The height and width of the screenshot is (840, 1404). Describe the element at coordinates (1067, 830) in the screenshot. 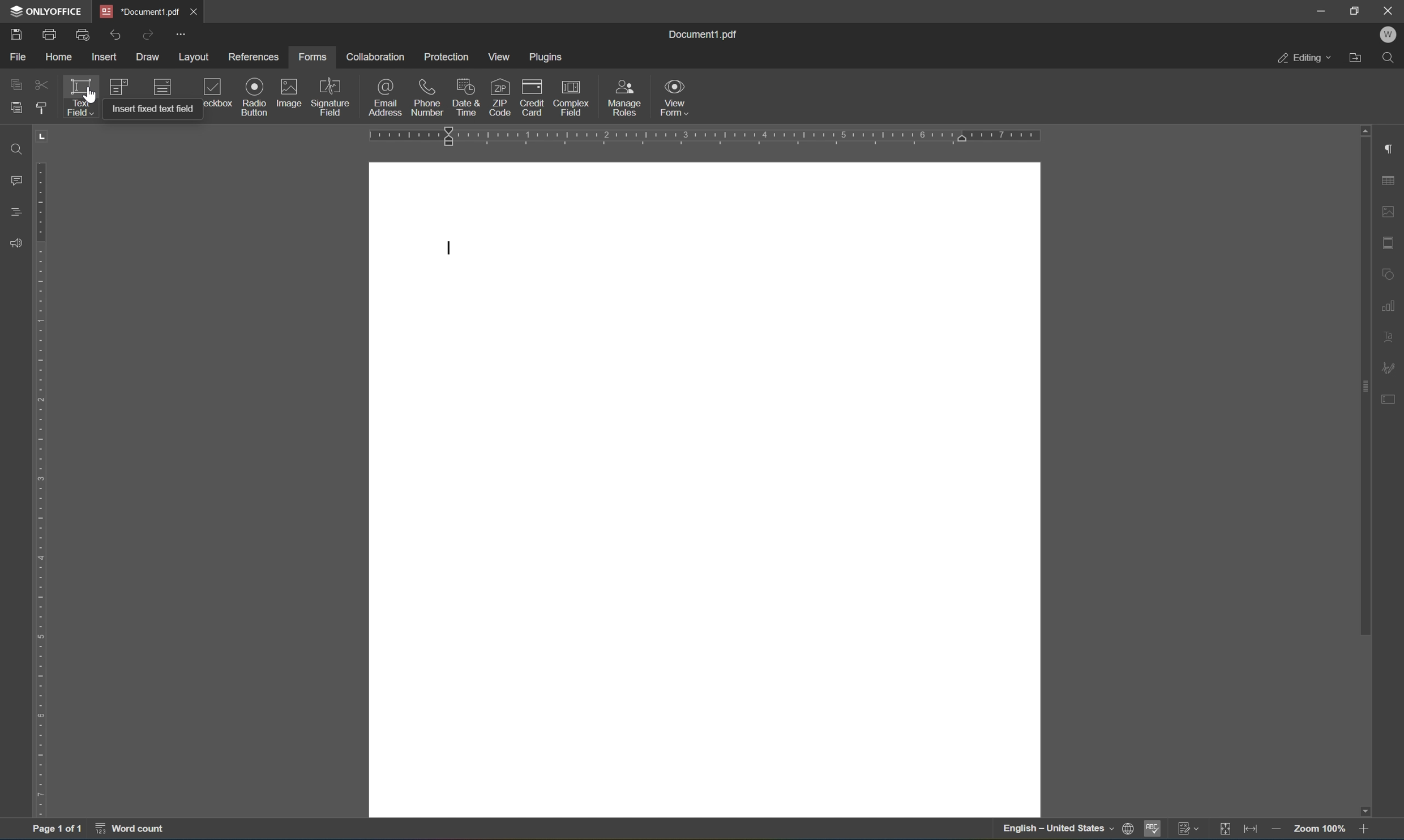

I see `set document language` at that location.